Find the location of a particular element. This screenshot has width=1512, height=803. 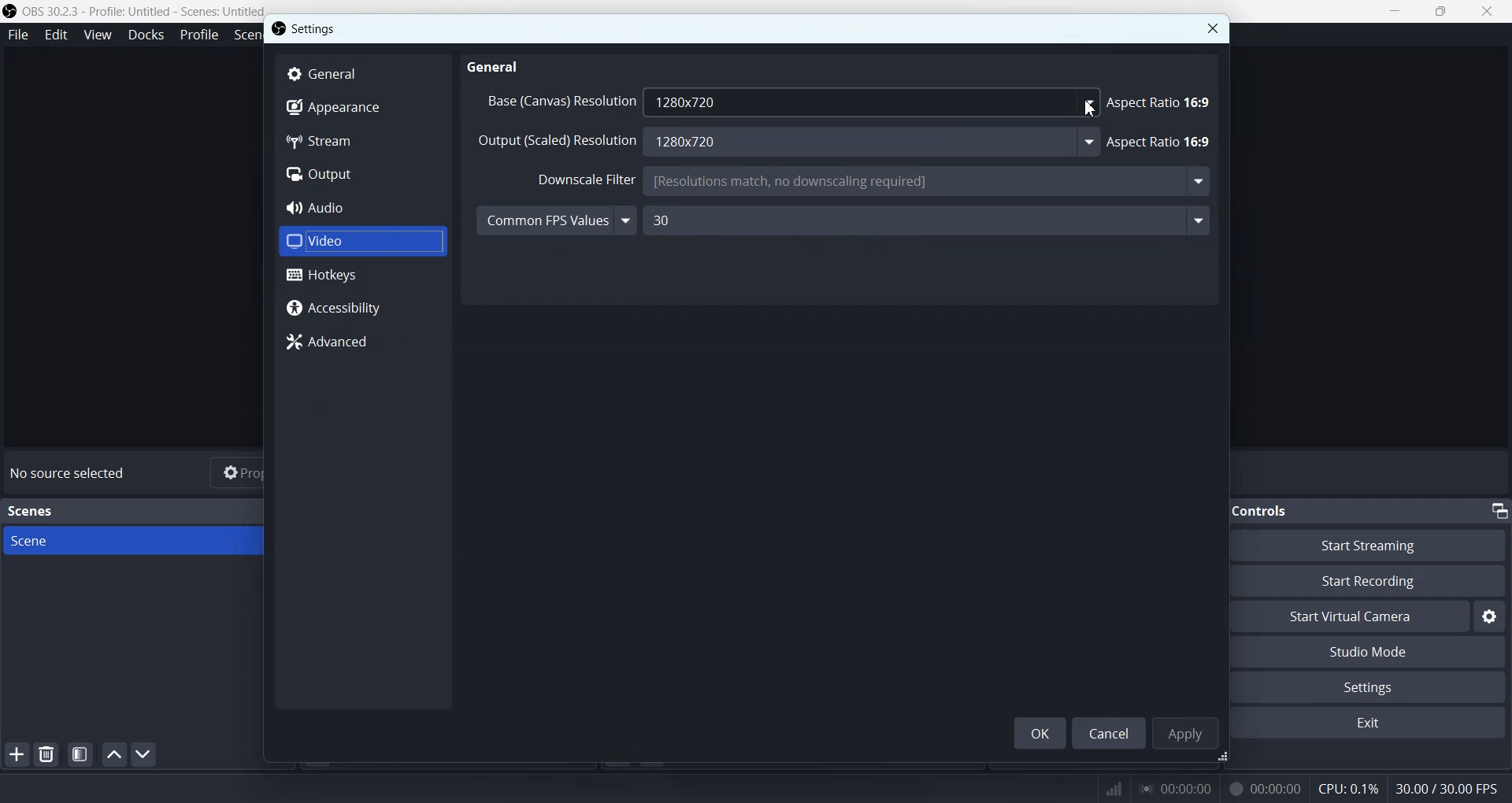

Remove selected scene is located at coordinates (46, 753).